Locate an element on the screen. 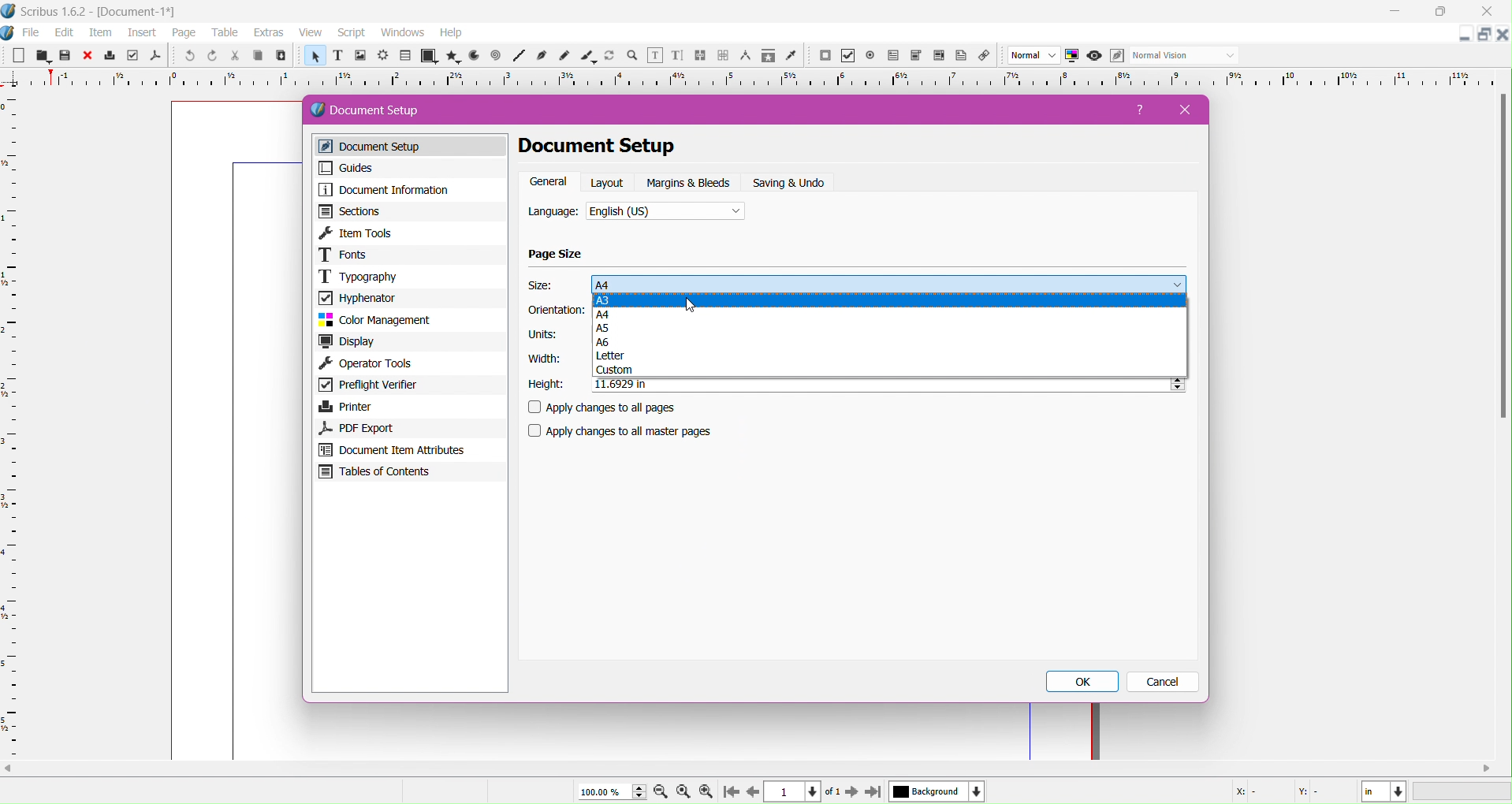  100.00% is located at coordinates (605, 791).